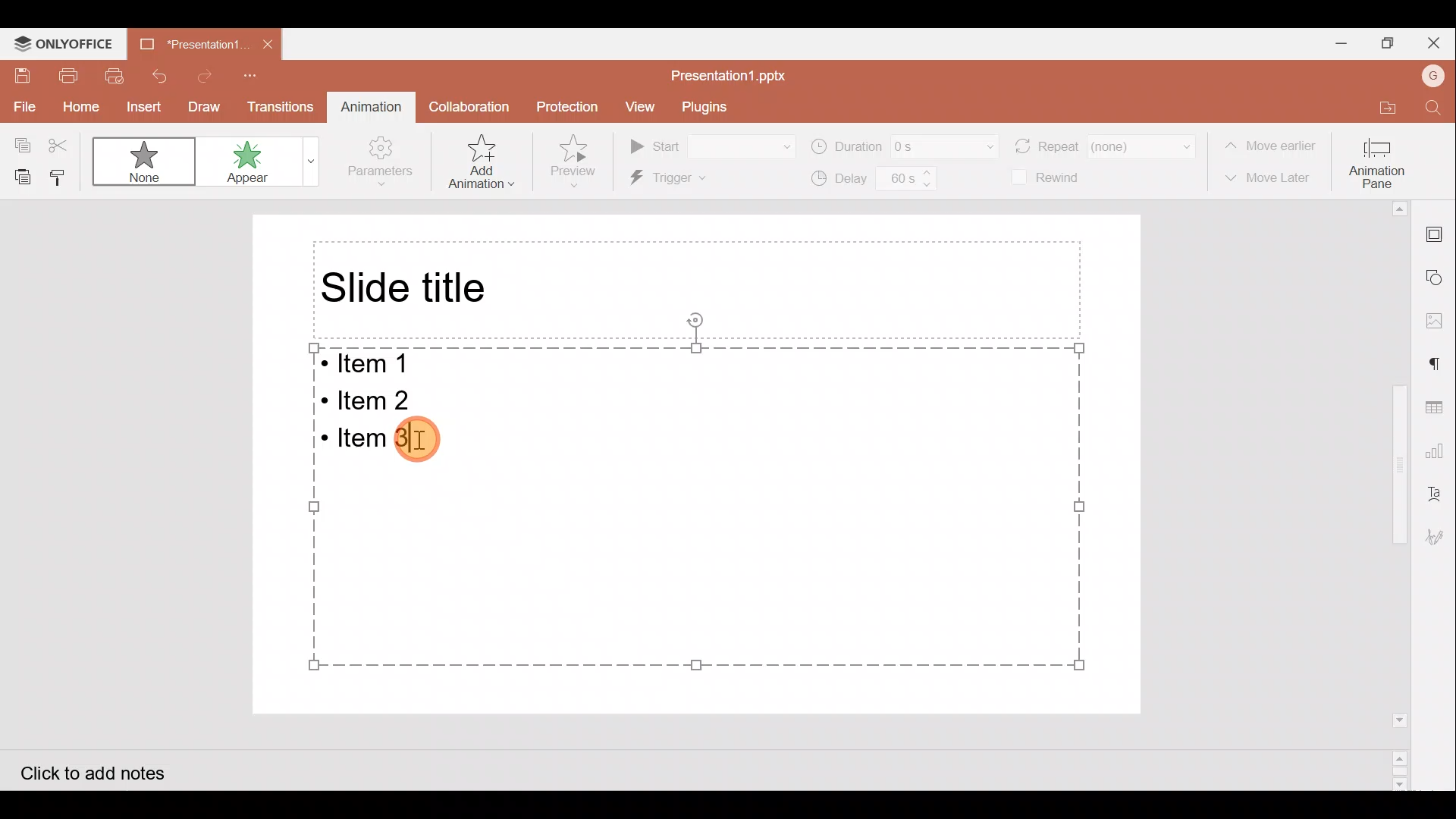 Image resolution: width=1456 pixels, height=819 pixels. I want to click on Scroll bar, so click(1394, 494).